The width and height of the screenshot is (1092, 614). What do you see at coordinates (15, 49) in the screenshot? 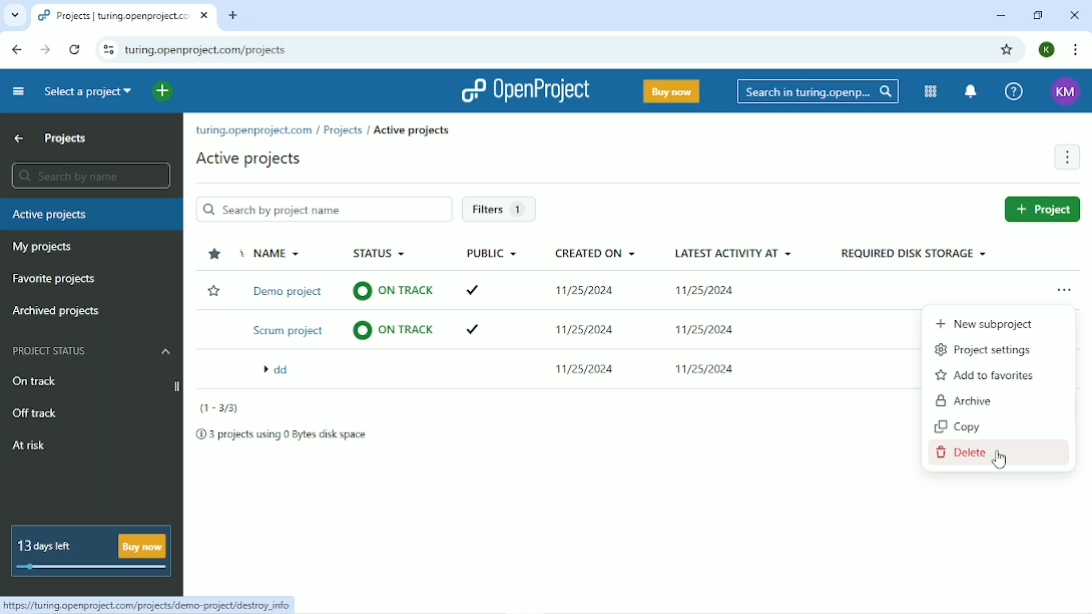
I see `Back` at bounding box center [15, 49].